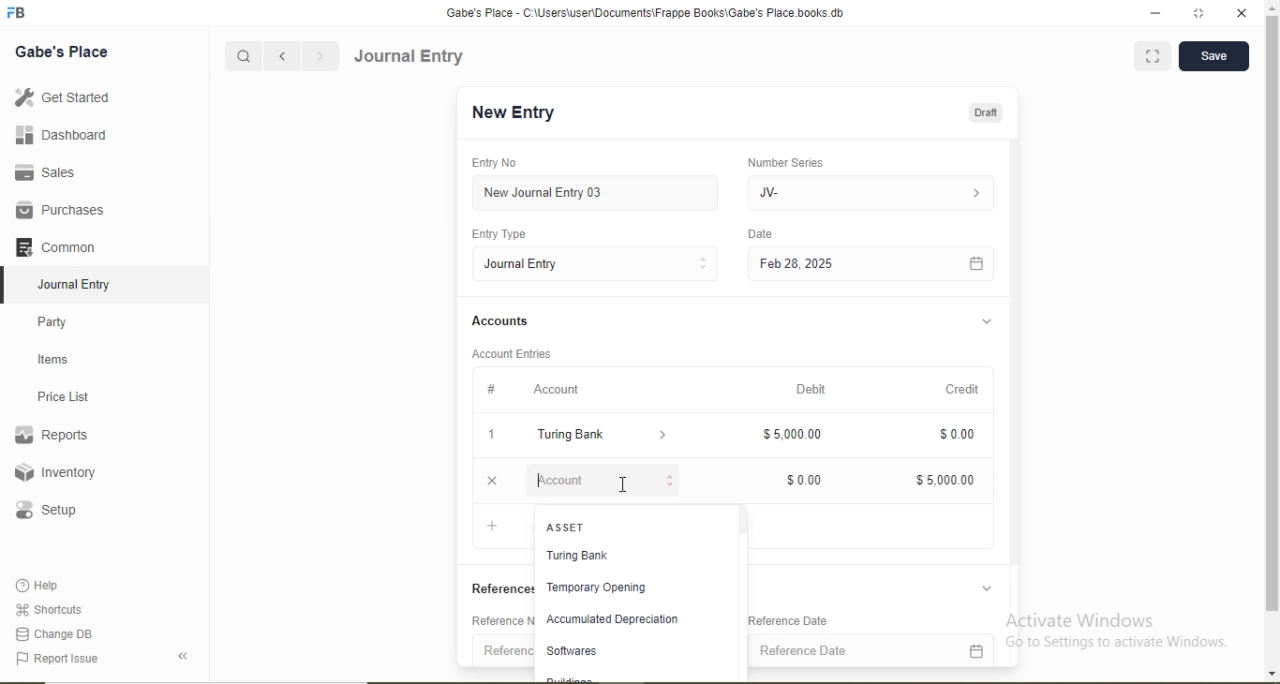  Describe the element at coordinates (42, 172) in the screenshot. I see `Sales` at that location.